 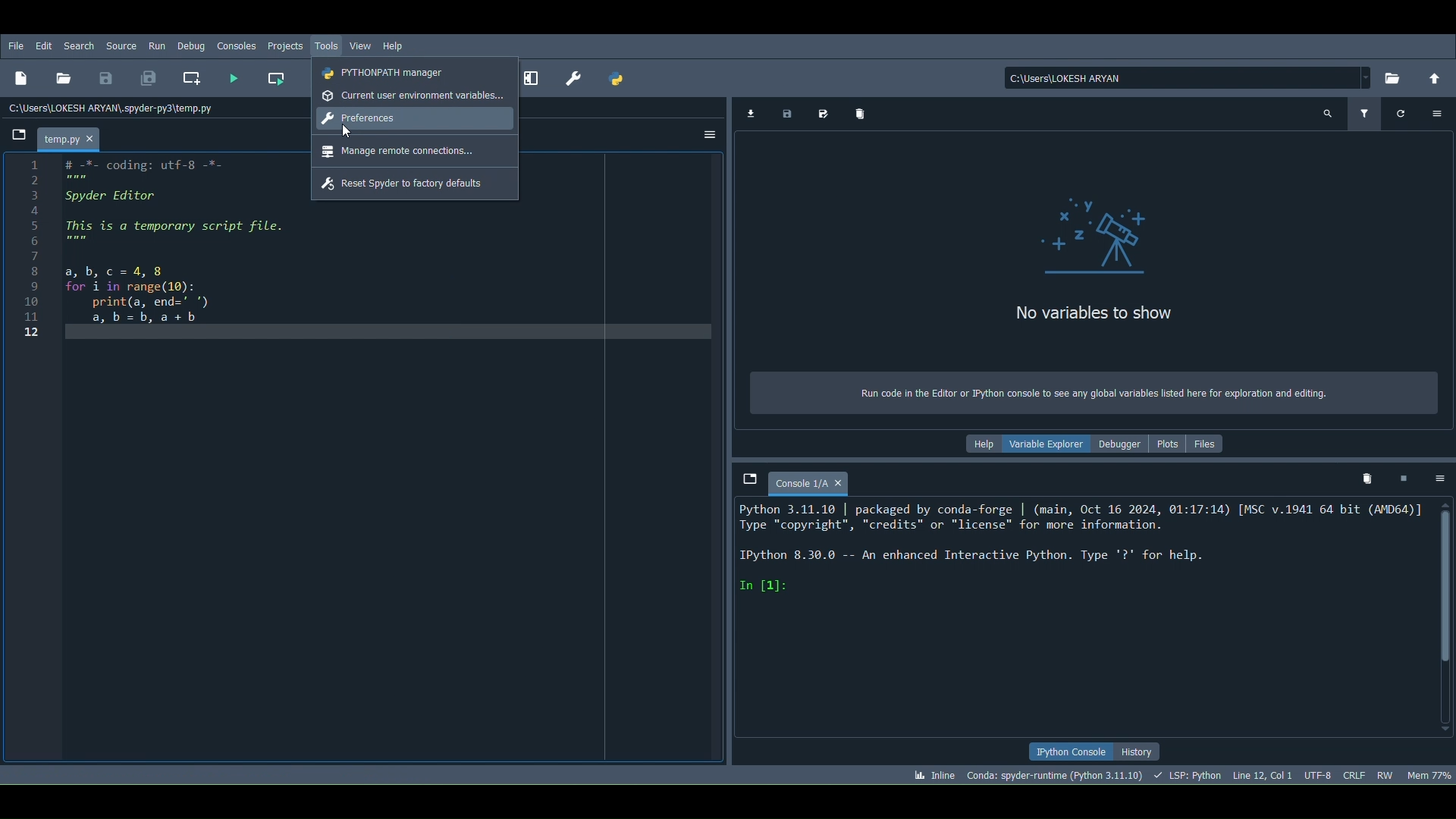 What do you see at coordinates (1056, 774) in the screenshot?
I see `Version` at bounding box center [1056, 774].